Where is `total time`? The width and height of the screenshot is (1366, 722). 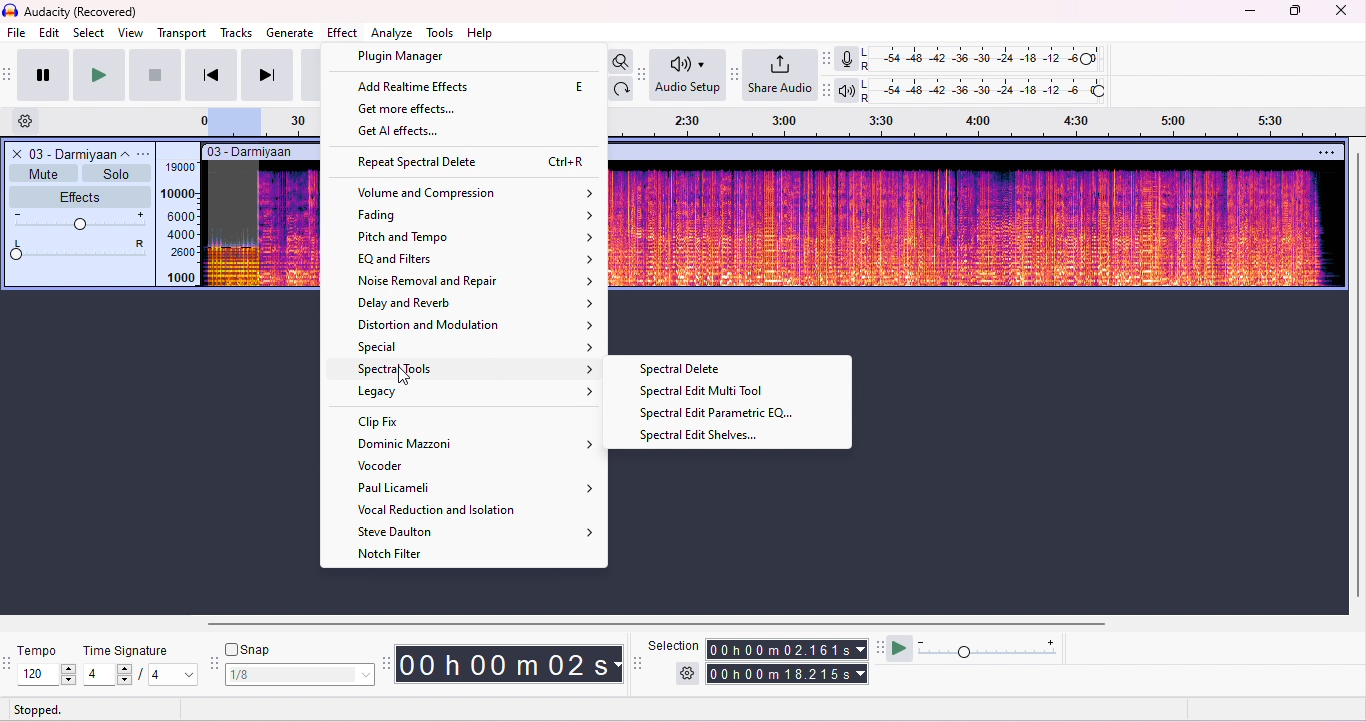 total time is located at coordinates (789, 674).